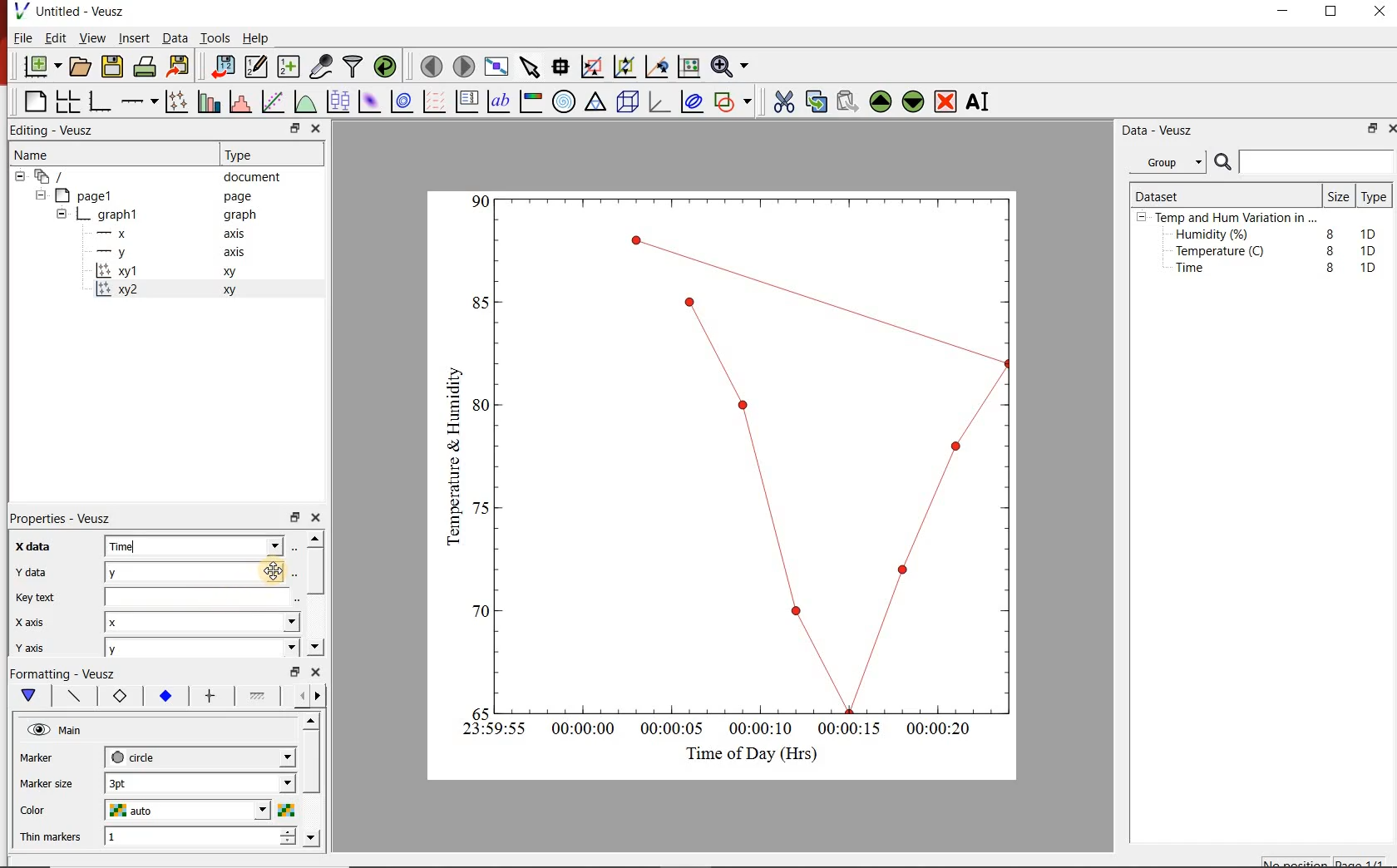  Describe the element at coordinates (57, 130) in the screenshot. I see `Editing - Veusz` at that location.